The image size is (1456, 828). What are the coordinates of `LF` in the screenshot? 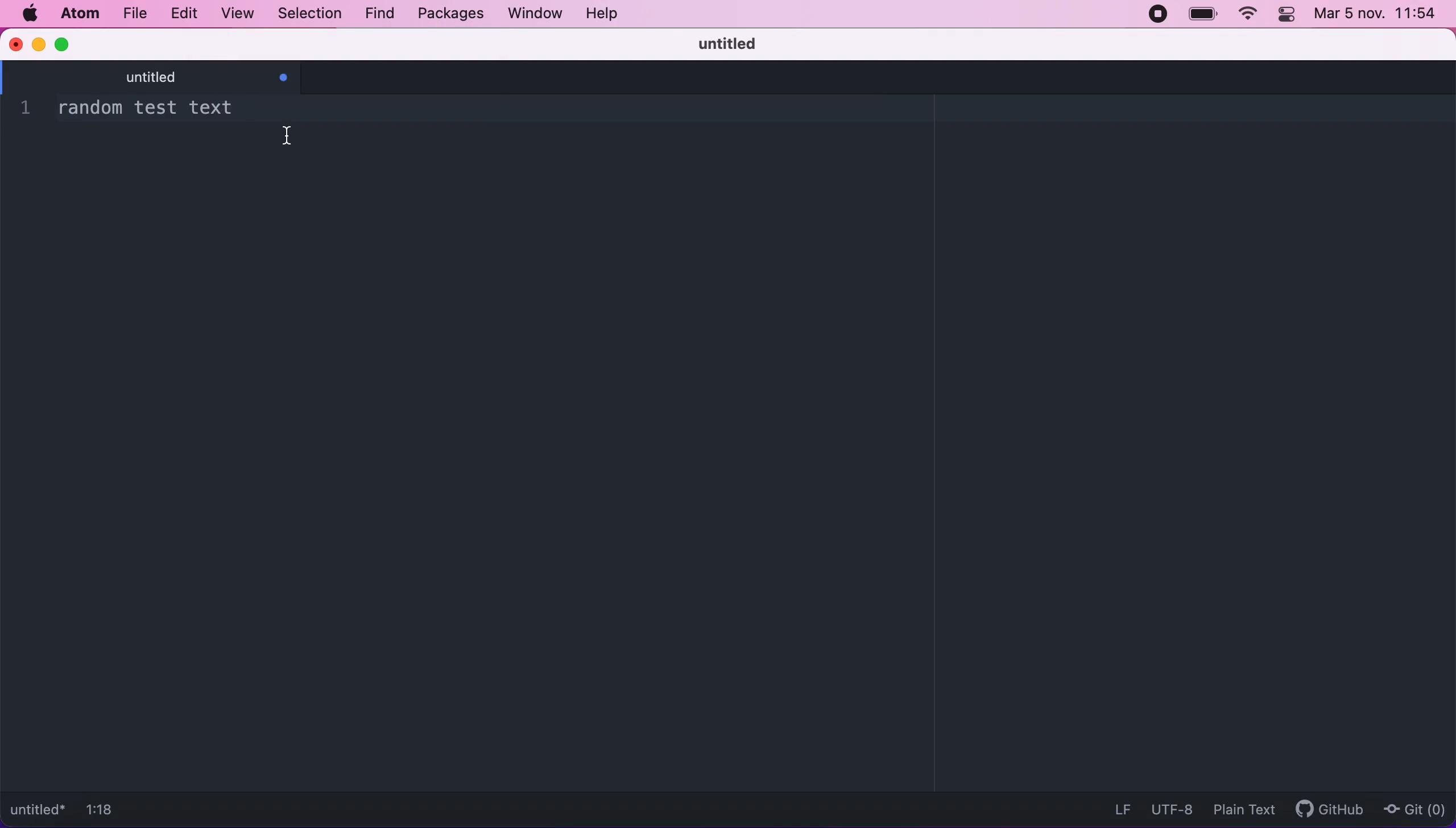 It's located at (1119, 808).